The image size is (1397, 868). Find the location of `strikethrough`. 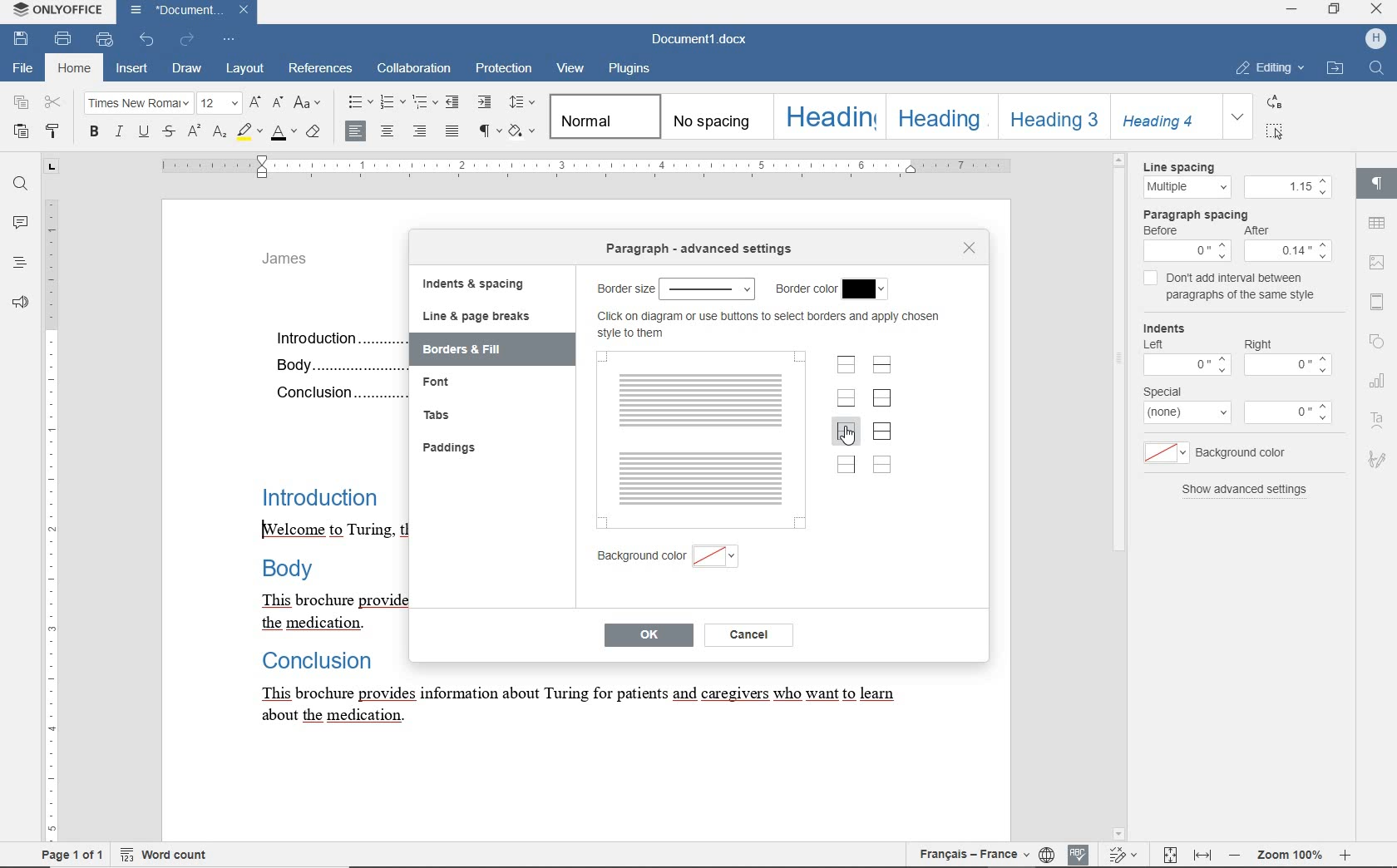

strikethrough is located at coordinates (171, 132).